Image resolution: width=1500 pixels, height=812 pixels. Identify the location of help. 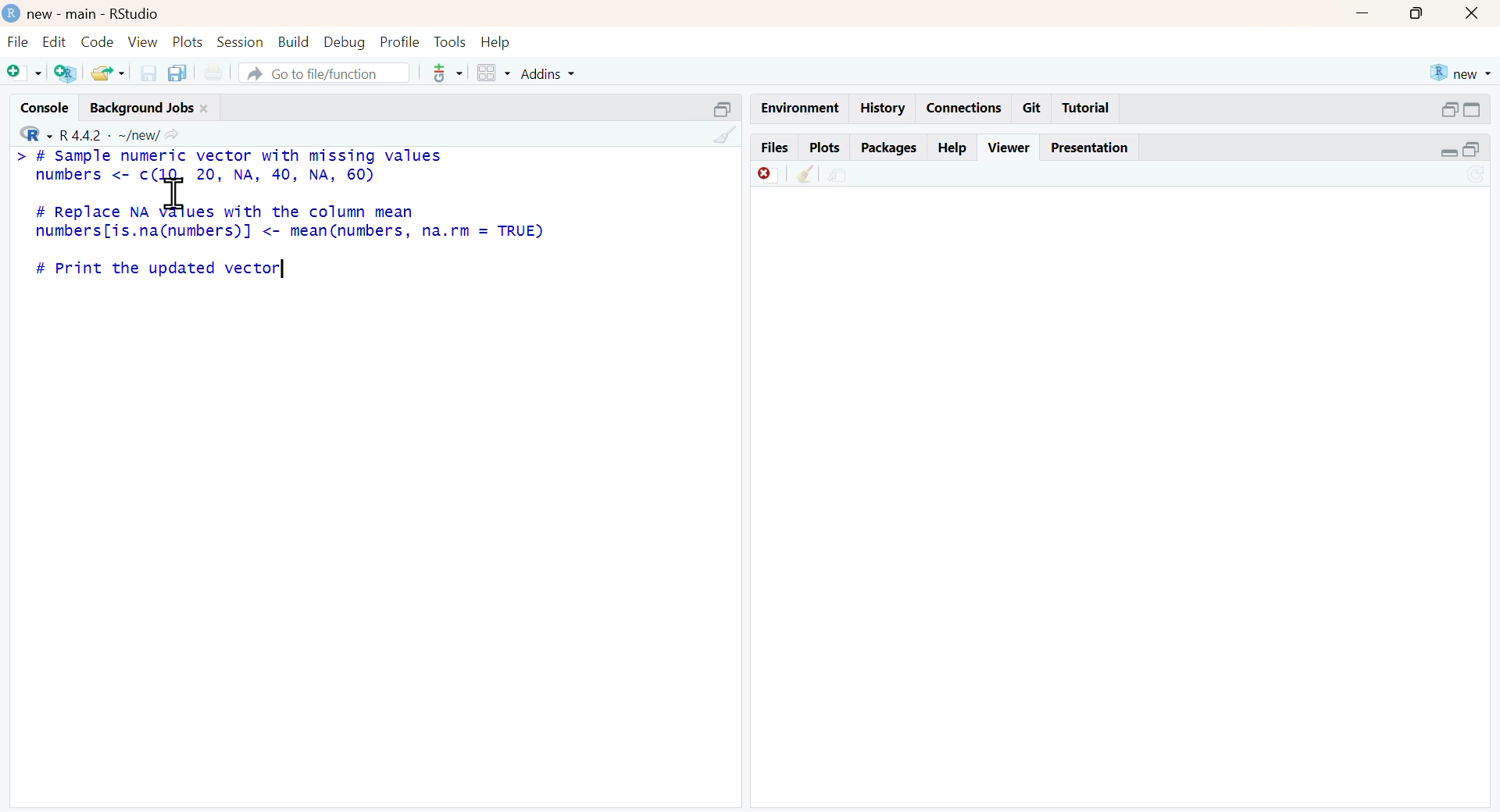
(495, 44).